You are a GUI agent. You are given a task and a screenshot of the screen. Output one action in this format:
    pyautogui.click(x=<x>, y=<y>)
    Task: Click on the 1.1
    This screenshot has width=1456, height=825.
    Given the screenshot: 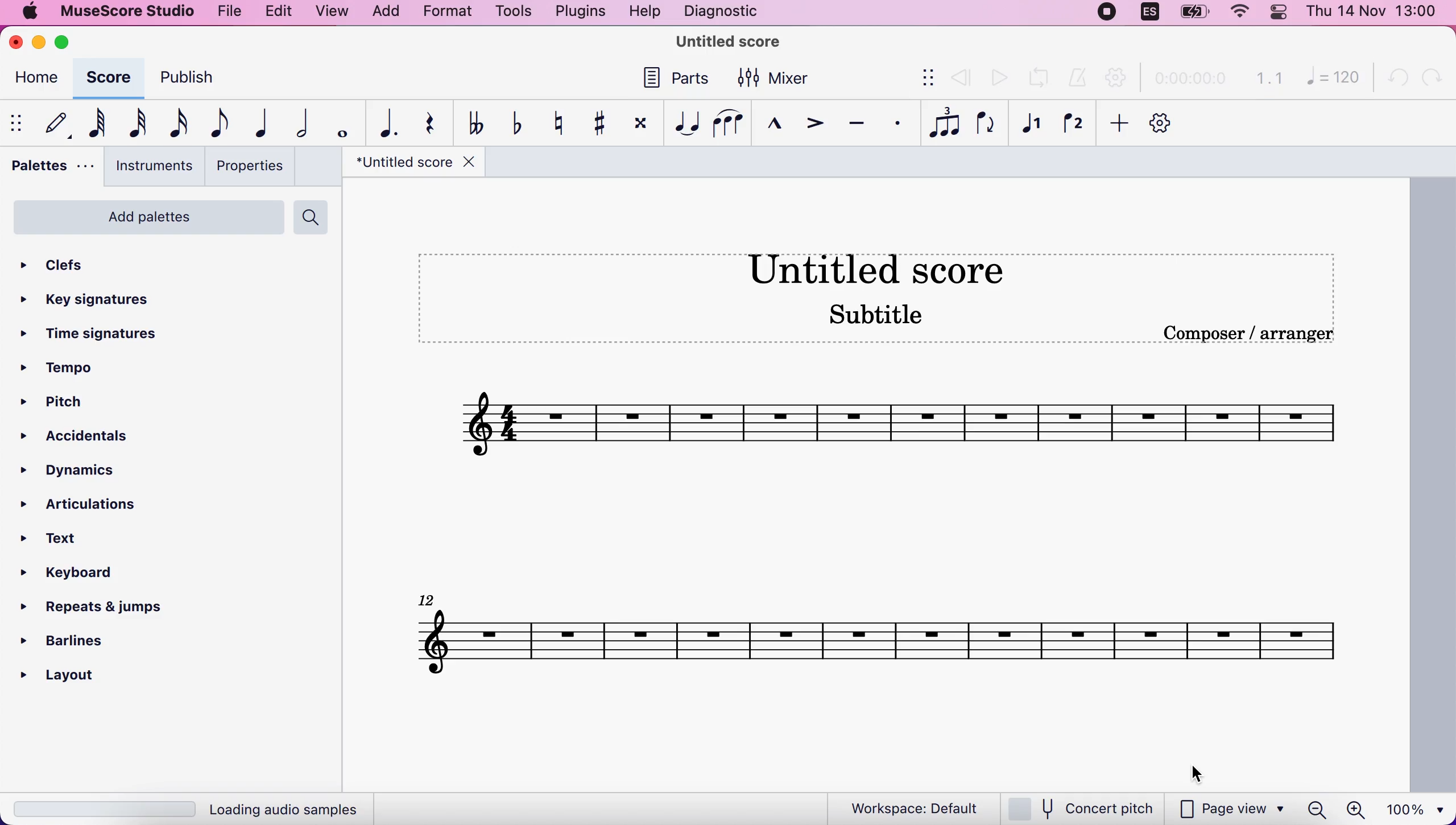 What is the action you would take?
    pyautogui.click(x=1266, y=79)
    